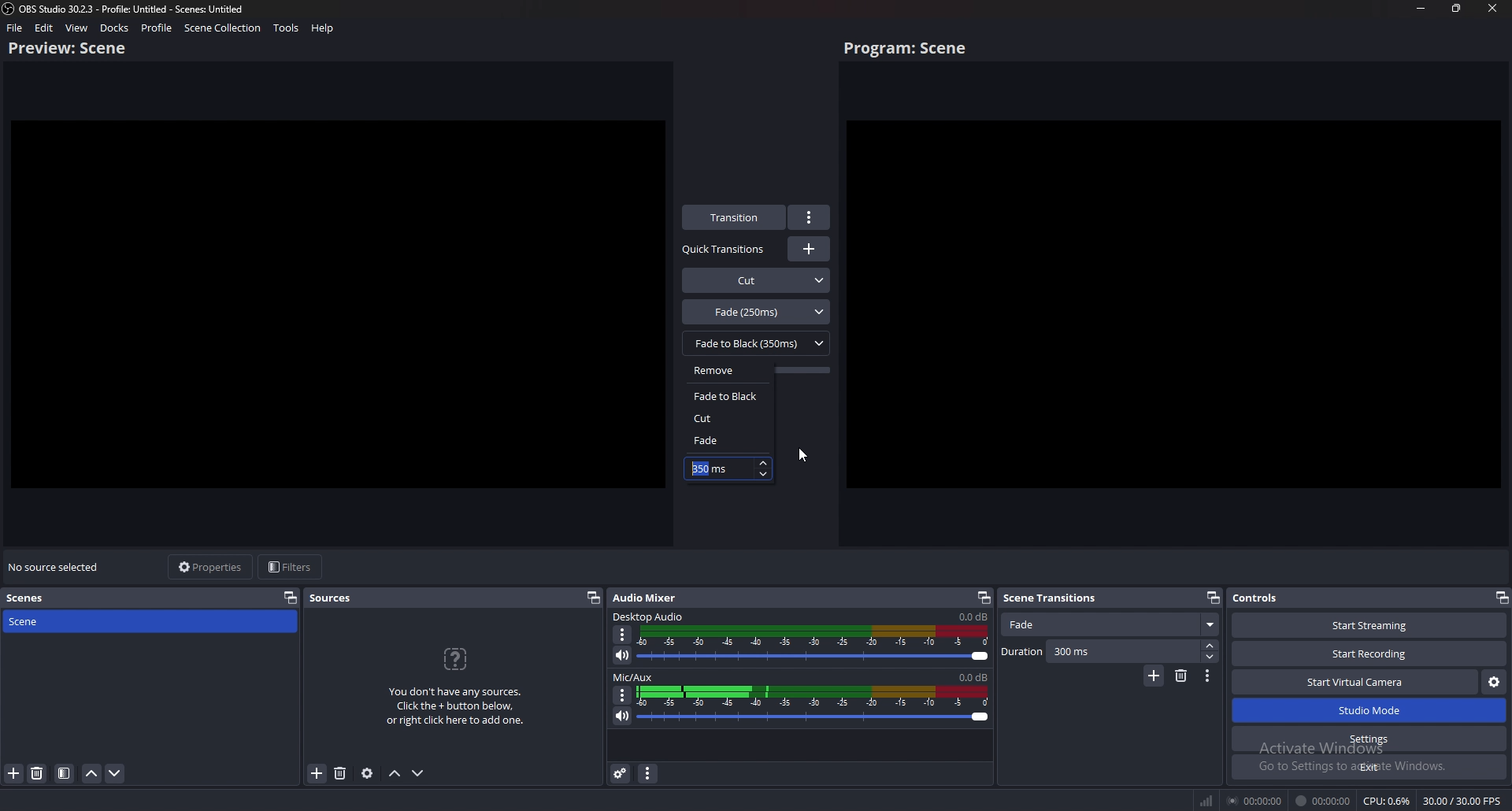  Describe the element at coordinates (395, 774) in the screenshot. I see `Move sources up` at that location.